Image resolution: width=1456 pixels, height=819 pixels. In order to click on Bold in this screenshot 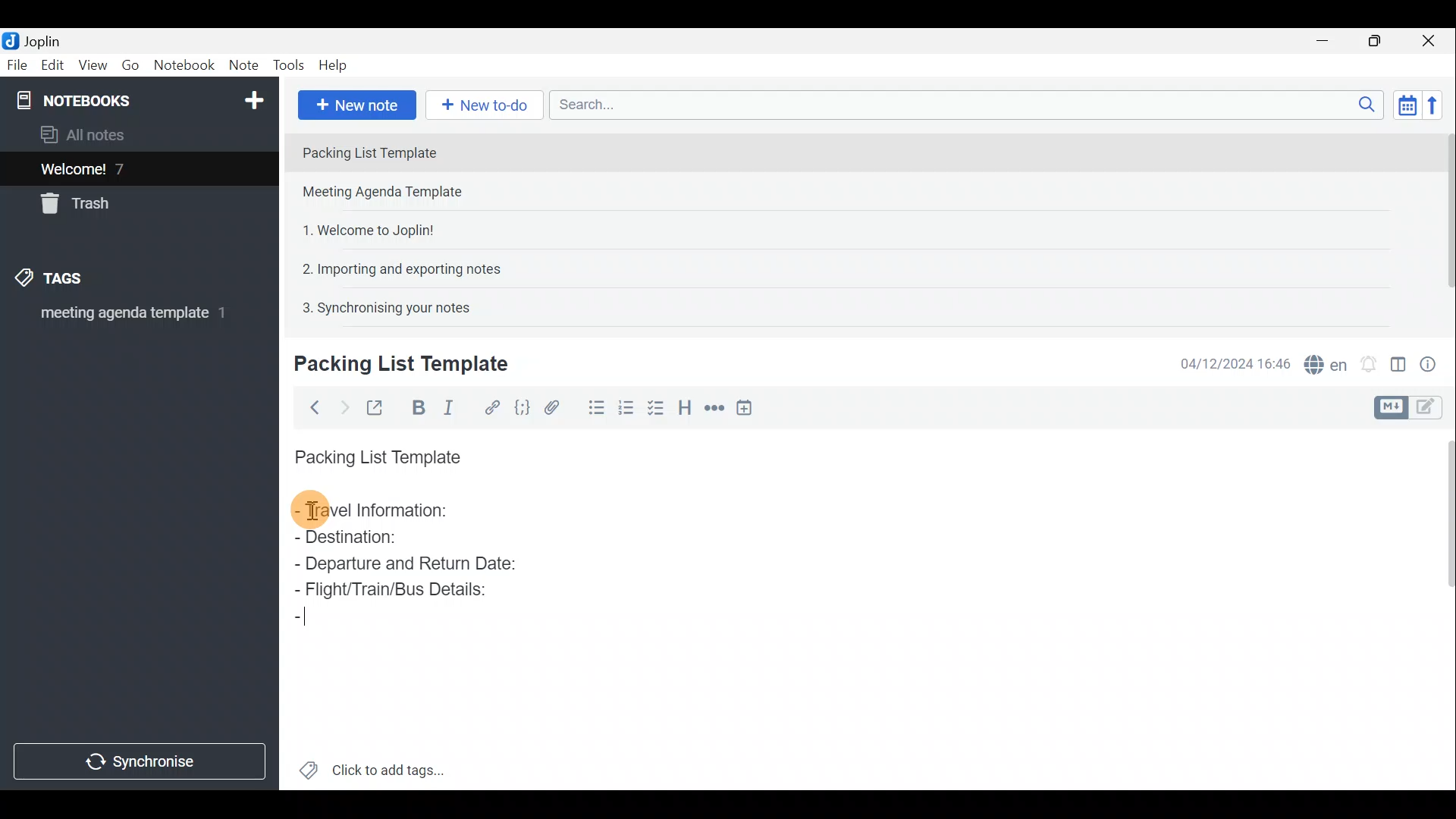, I will do `click(416, 406)`.